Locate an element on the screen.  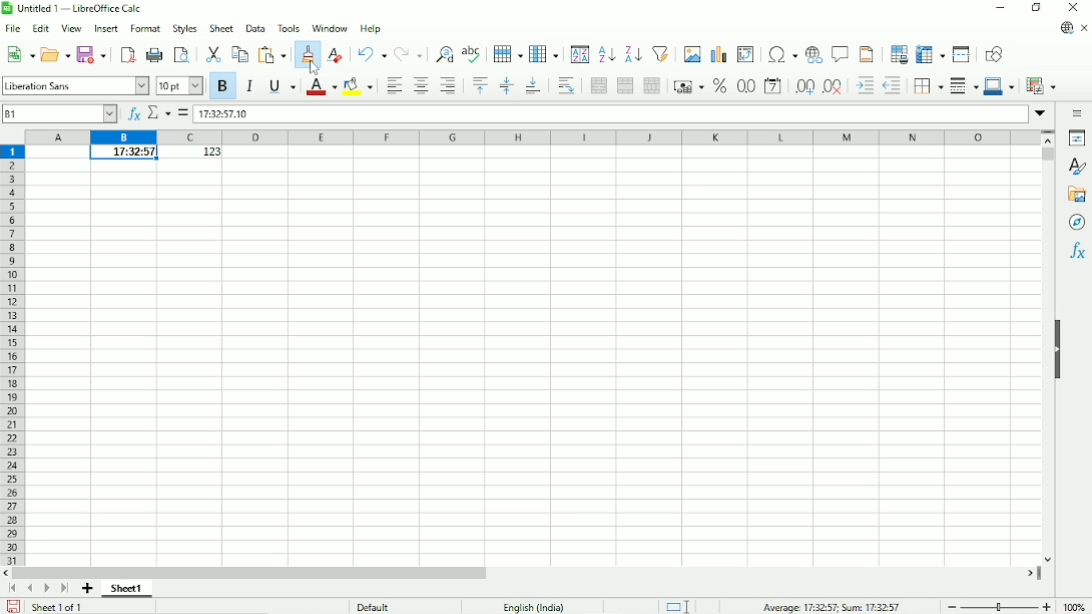
Border style is located at coordinates (963, 87).